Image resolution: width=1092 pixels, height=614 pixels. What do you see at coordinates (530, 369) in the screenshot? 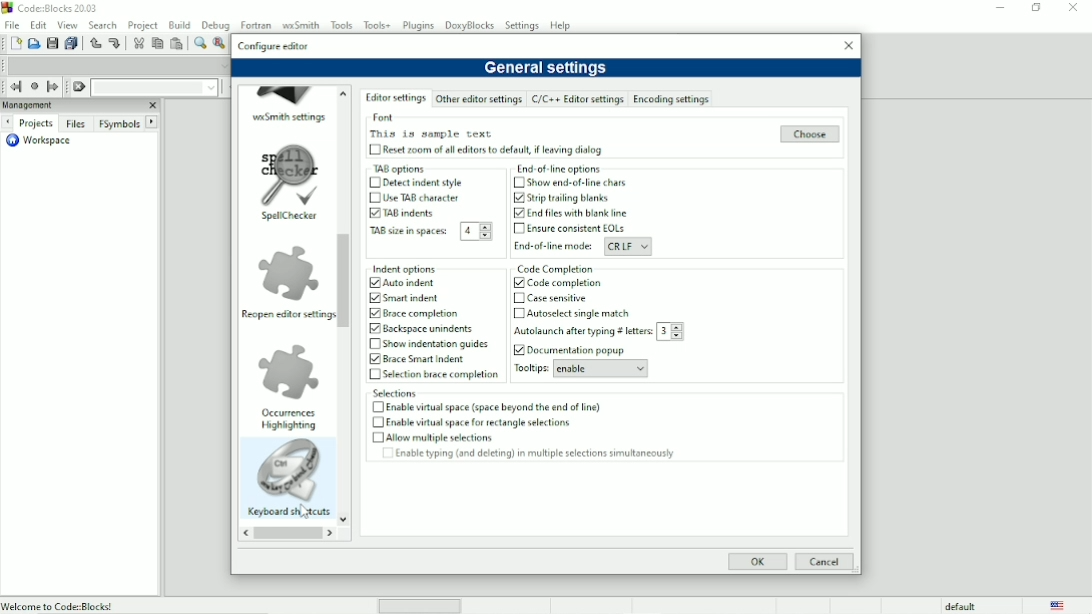
I see `Tooltips` at bounding box center [530, 369].